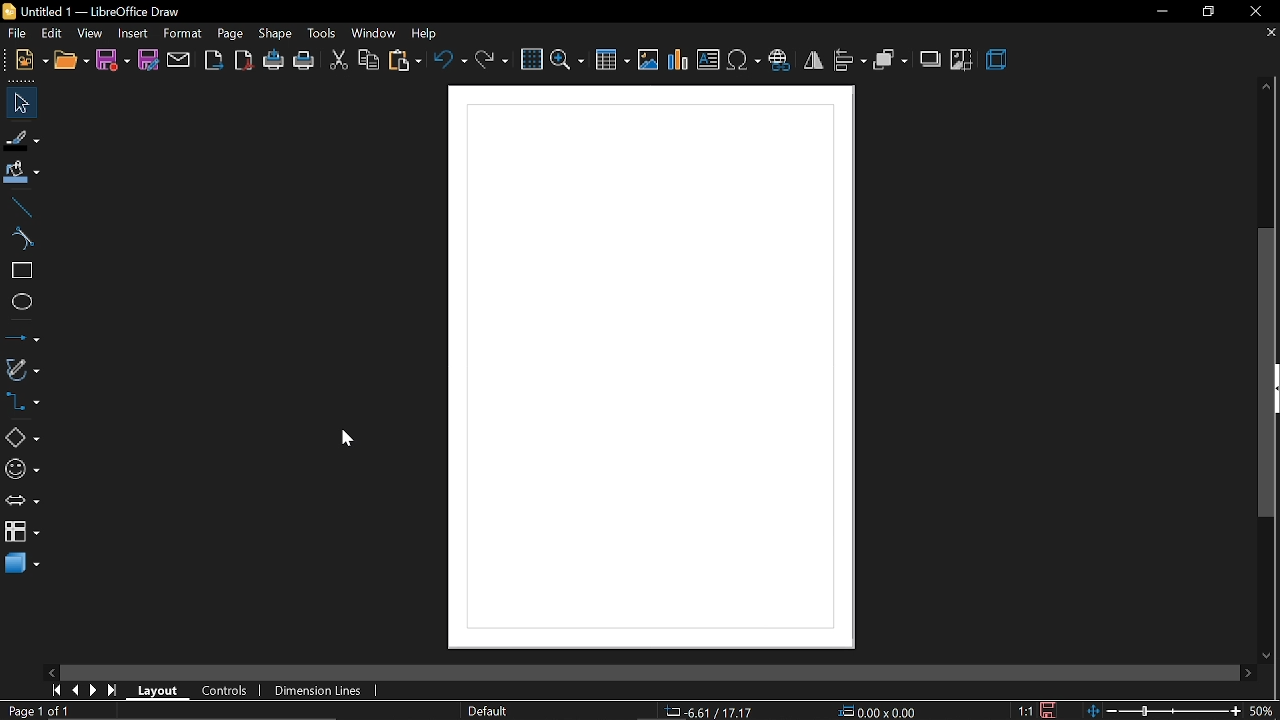 The image size is (1280, 720). Describe the element at coordinates (998, 59) in the screenshot. I see `3d effect` at that location.